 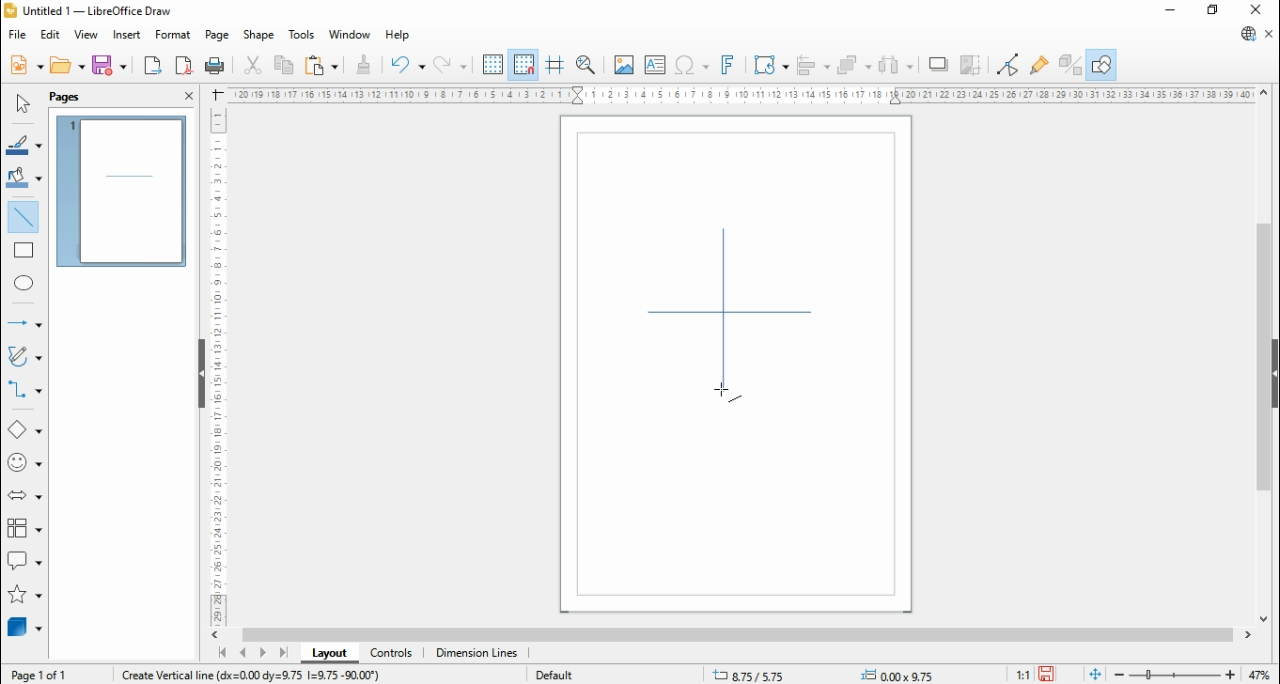 I want to click on controls, so click(x=391, y=654).